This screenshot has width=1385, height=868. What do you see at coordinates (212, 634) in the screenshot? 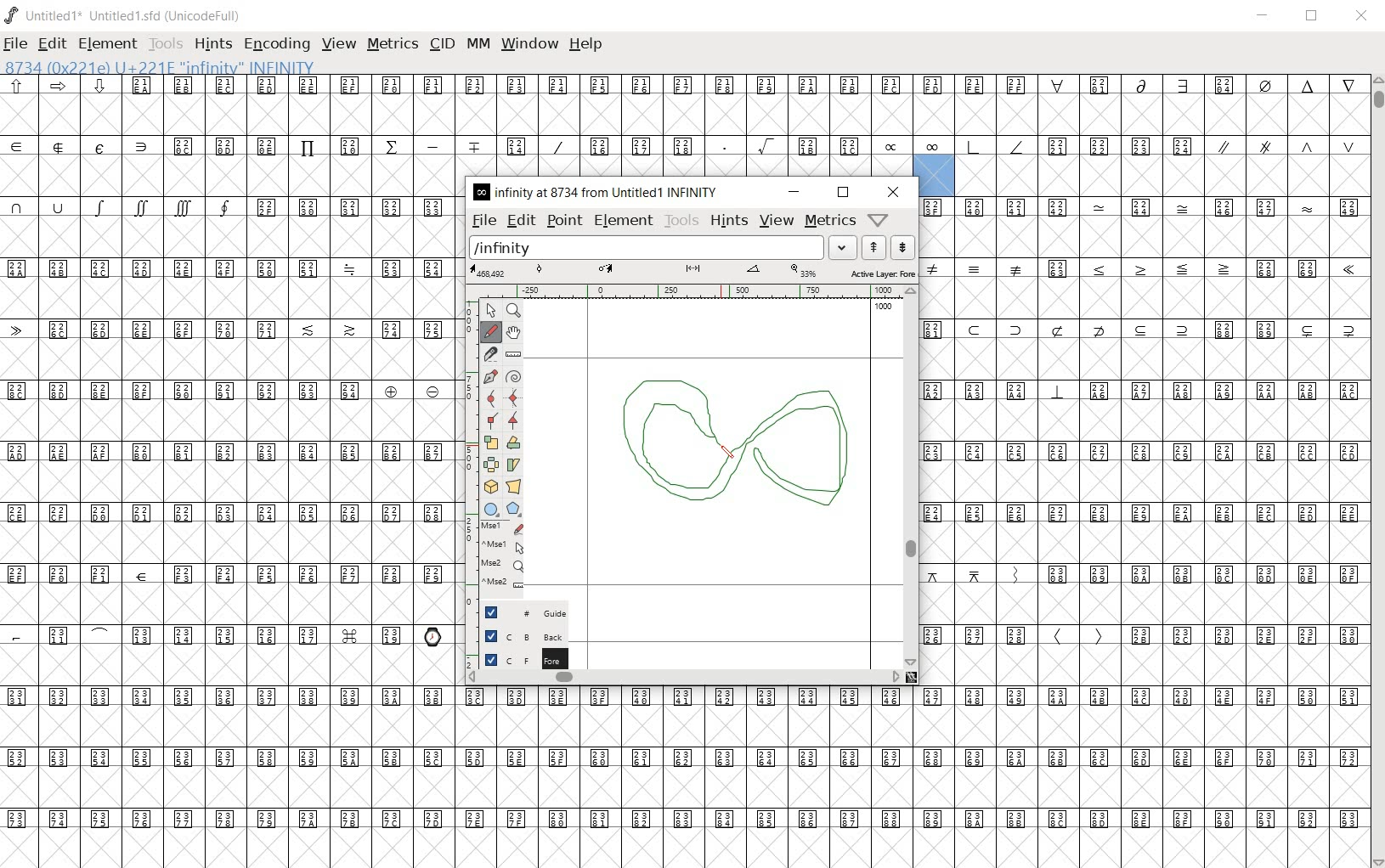
I see `Unicode code points` at bounding box center [212, 634].